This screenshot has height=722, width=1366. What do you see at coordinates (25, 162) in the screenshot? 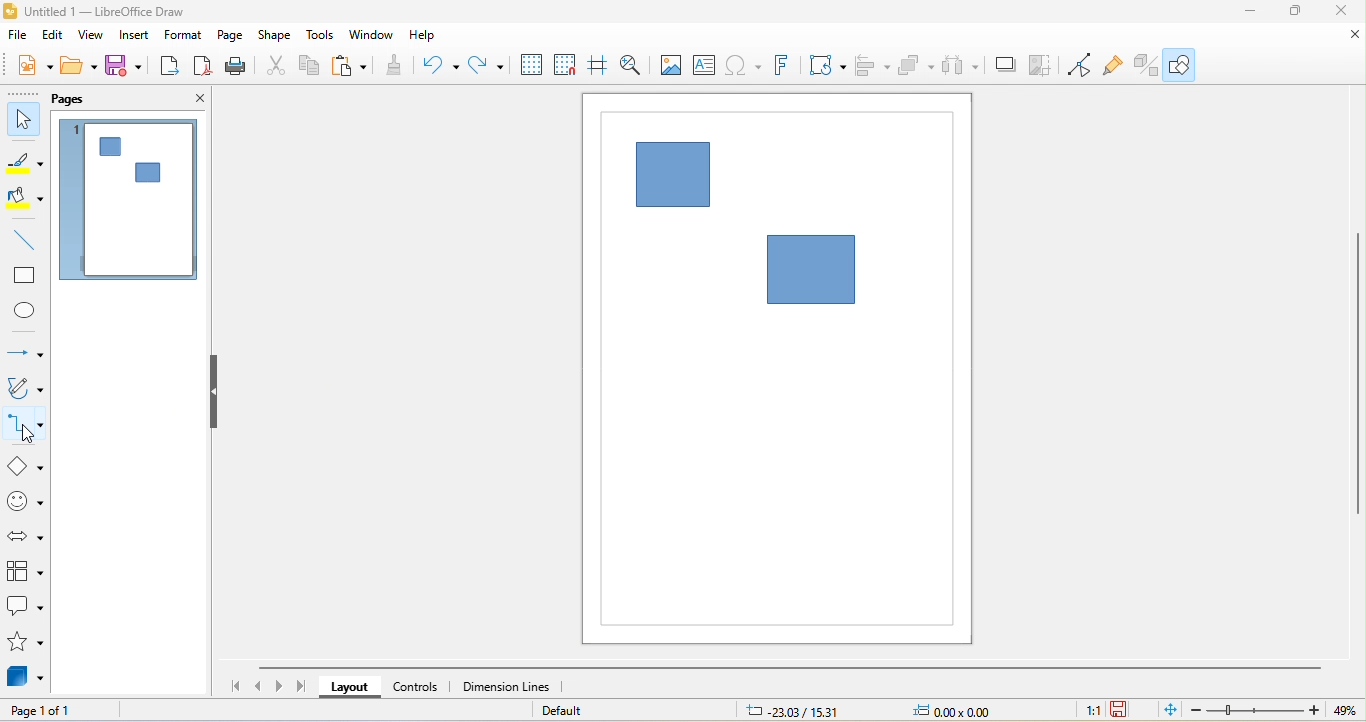
I see `line color` at bounding box center [25, 162].